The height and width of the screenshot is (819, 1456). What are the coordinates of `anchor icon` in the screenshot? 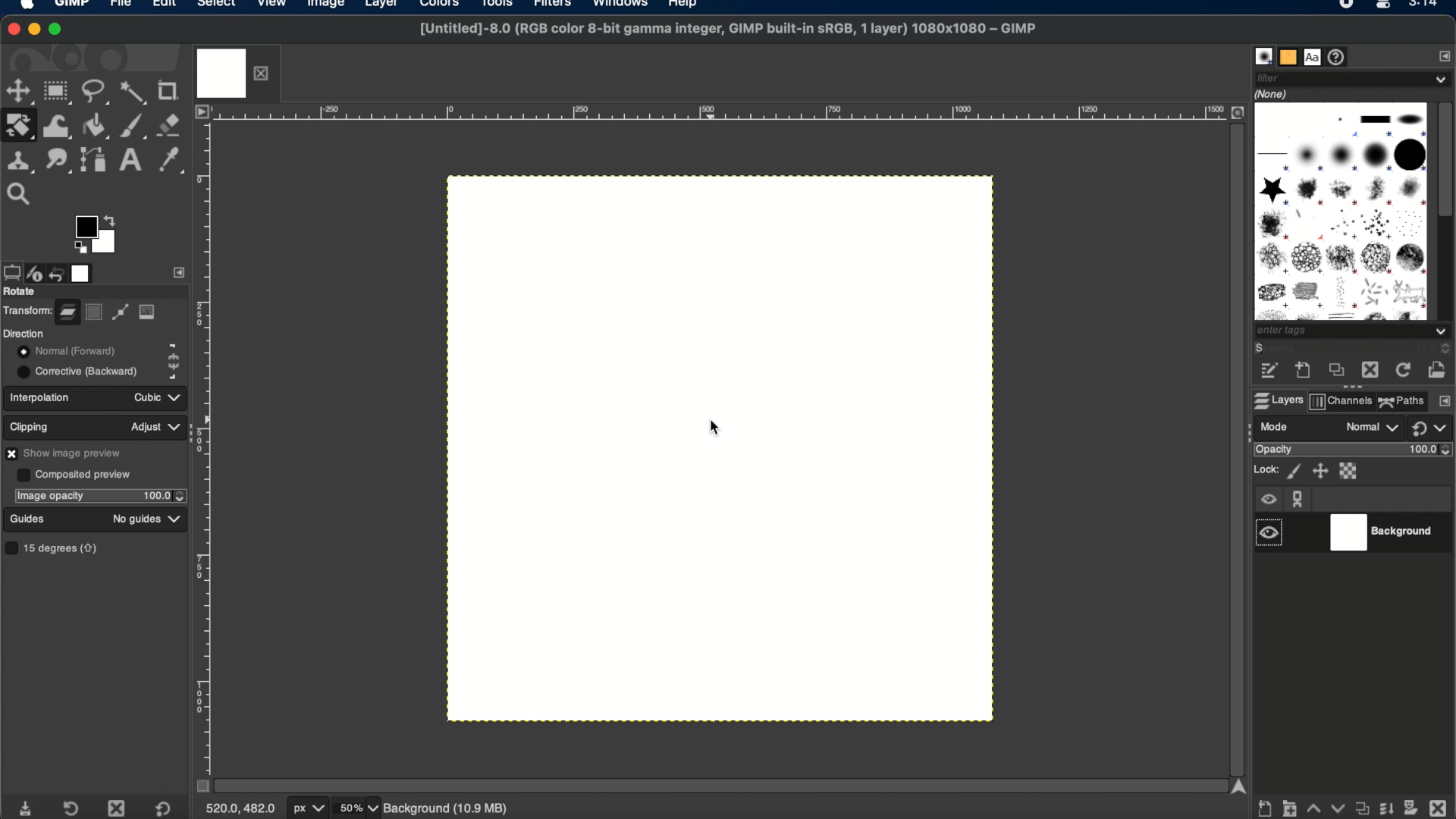 It's located at (1299, 499).